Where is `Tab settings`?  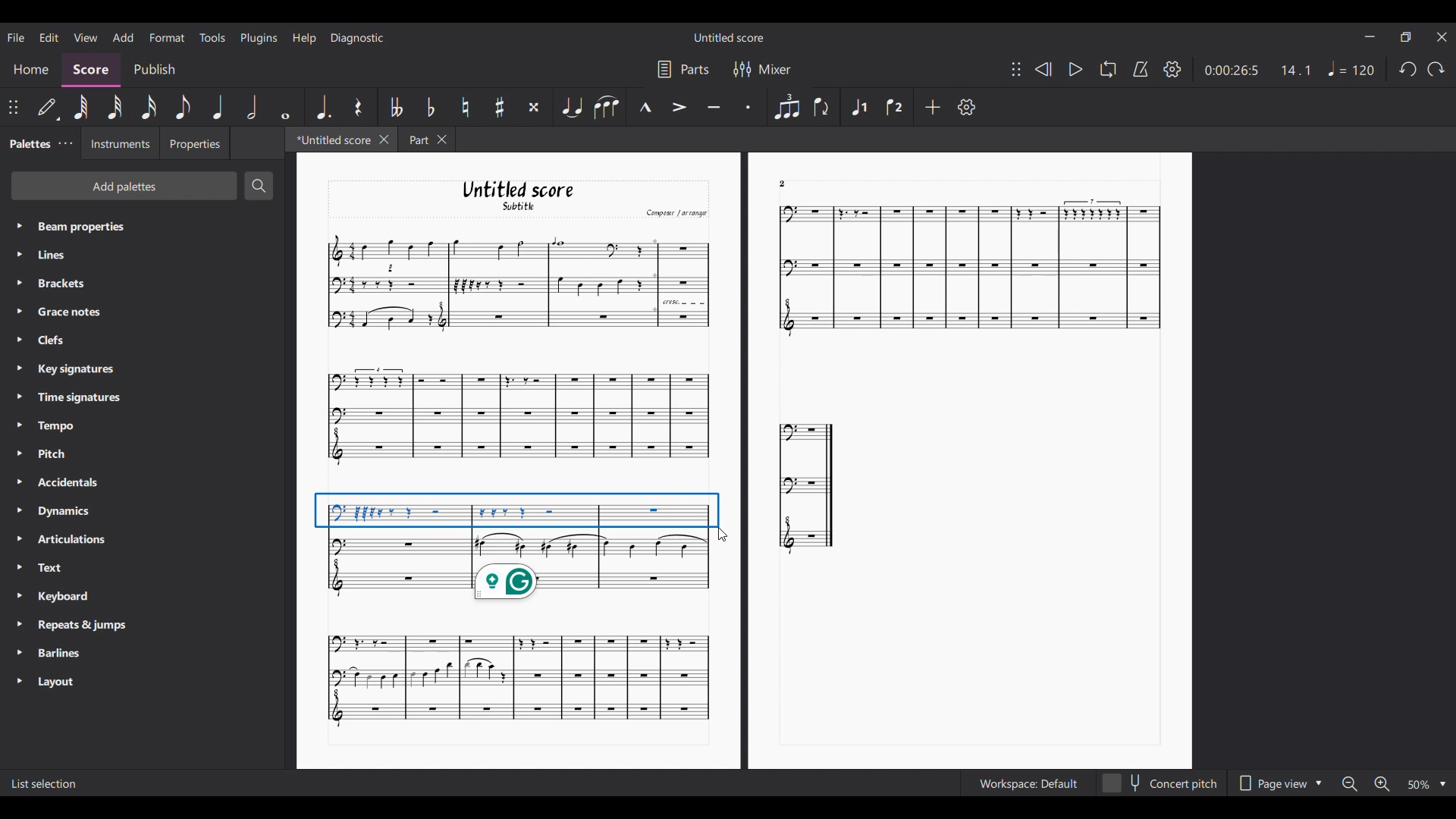 Tab settings is located at coordinates (65, 143).